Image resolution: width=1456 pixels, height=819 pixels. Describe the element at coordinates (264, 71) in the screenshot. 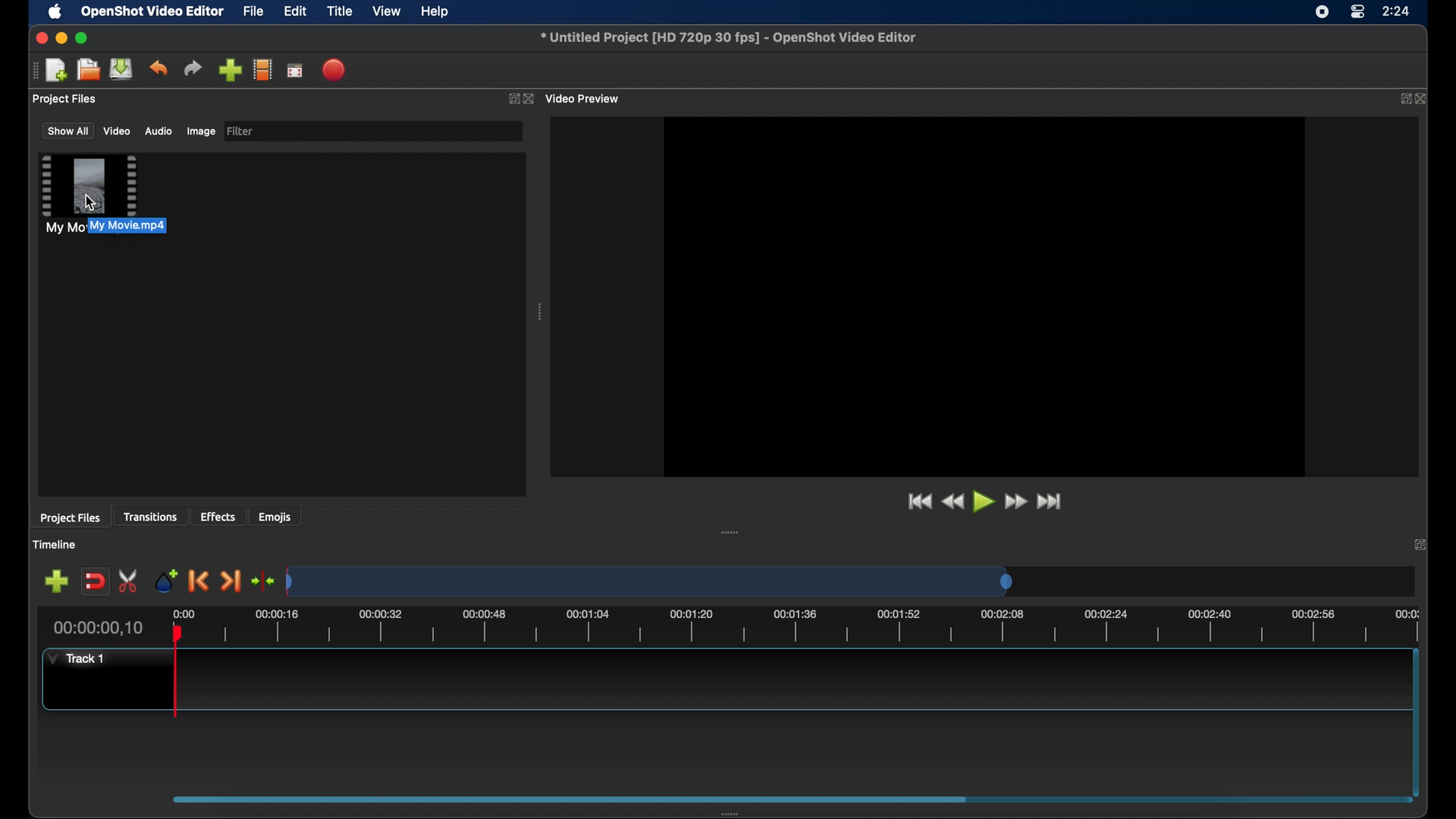

I see `explore profiles` at that location.